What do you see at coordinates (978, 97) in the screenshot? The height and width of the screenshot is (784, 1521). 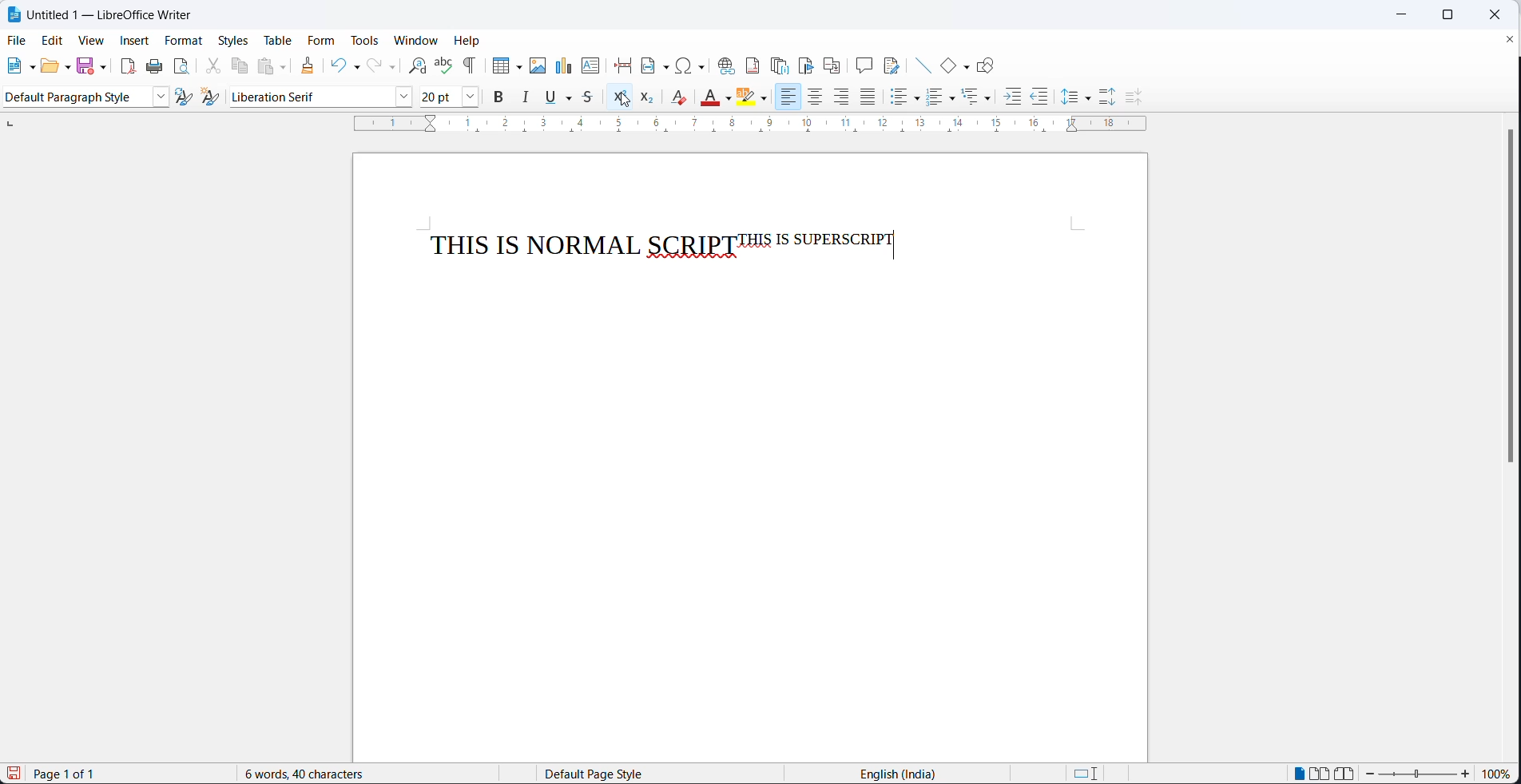 I see `select outline format` at bounding box center [978, 97].